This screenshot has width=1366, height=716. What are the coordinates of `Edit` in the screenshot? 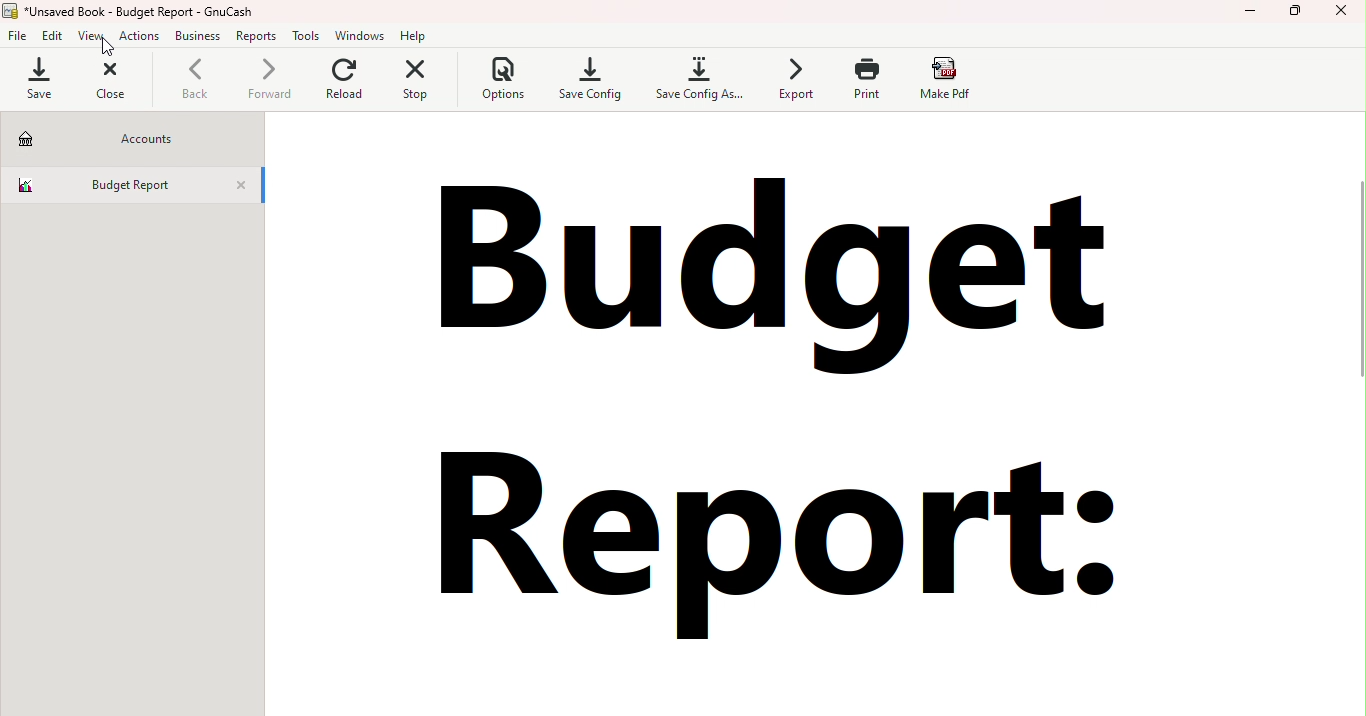 It's located at (55, 37).